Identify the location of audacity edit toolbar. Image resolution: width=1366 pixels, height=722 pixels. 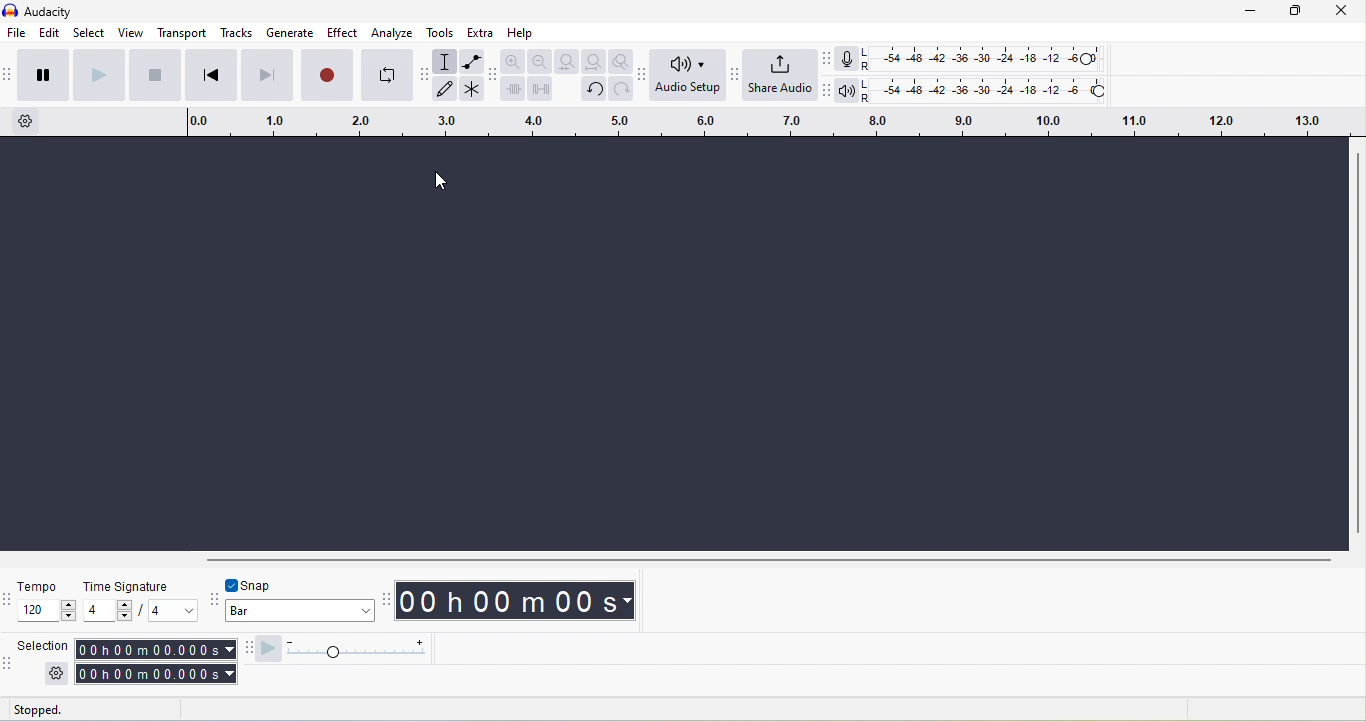
(494, 75).